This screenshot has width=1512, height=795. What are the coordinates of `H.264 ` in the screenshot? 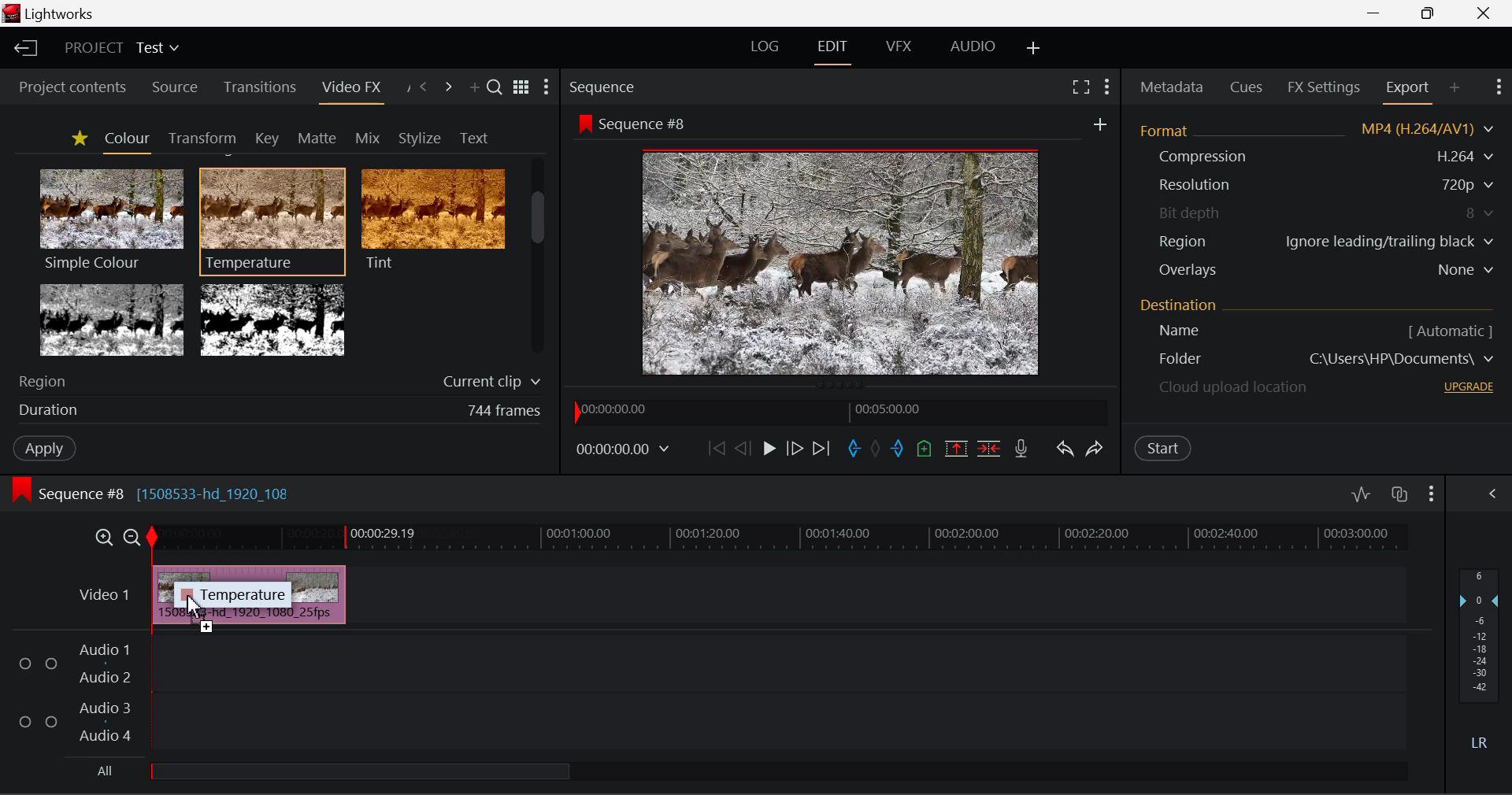 It's located at (1468, 156).